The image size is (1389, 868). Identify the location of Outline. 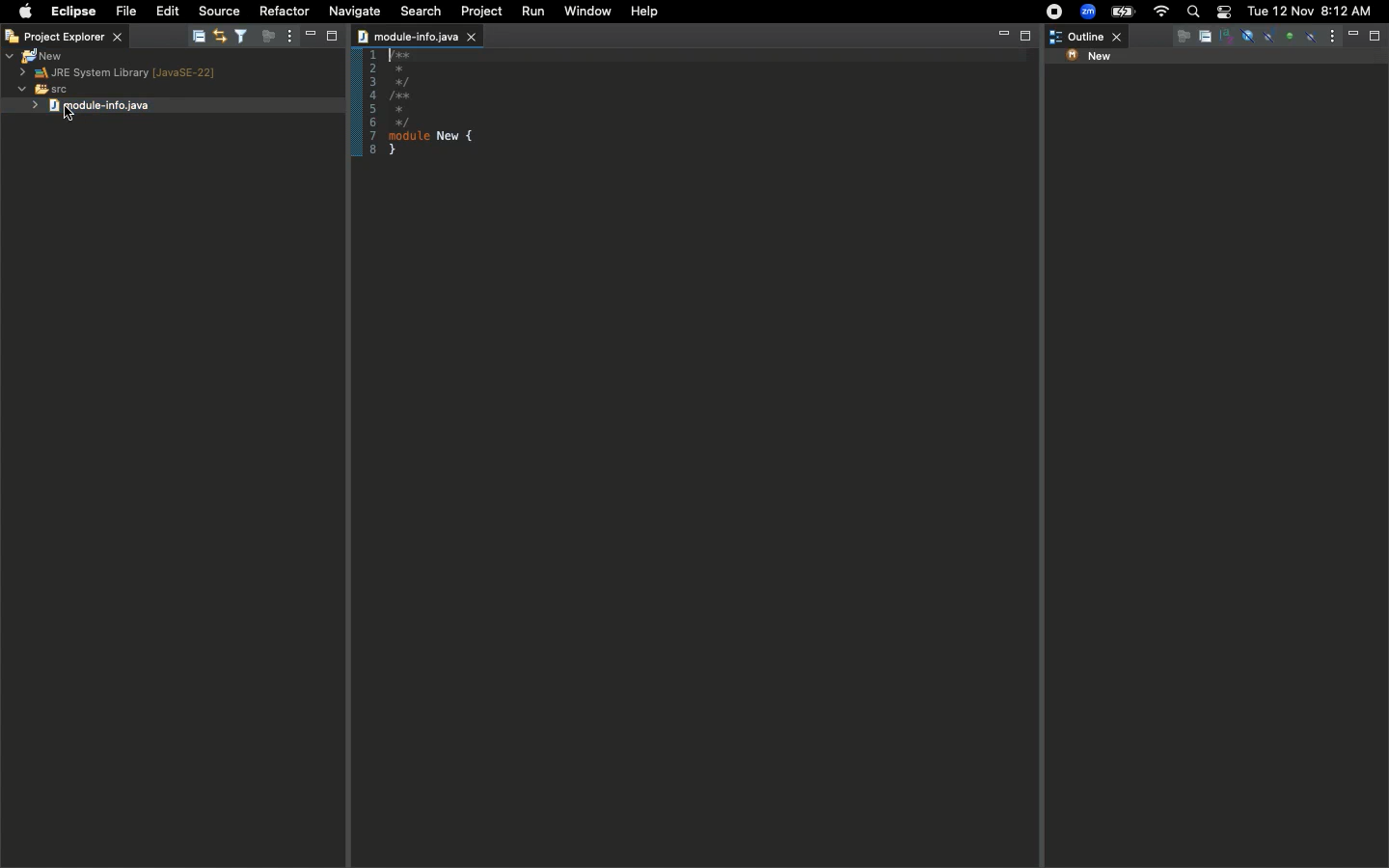
(1090, 36).